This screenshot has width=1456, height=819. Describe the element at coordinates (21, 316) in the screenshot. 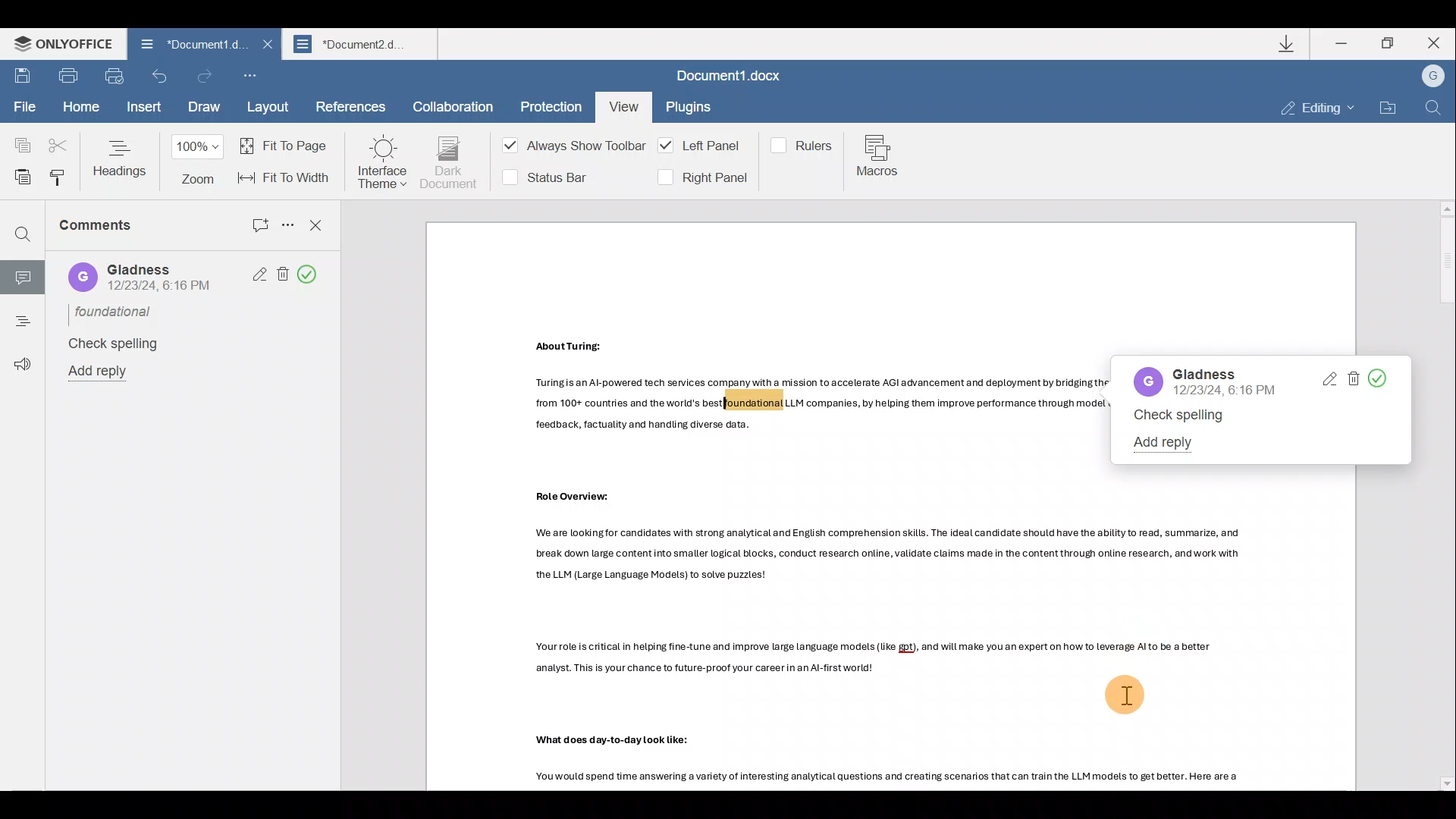

I see `Headings` at that location.